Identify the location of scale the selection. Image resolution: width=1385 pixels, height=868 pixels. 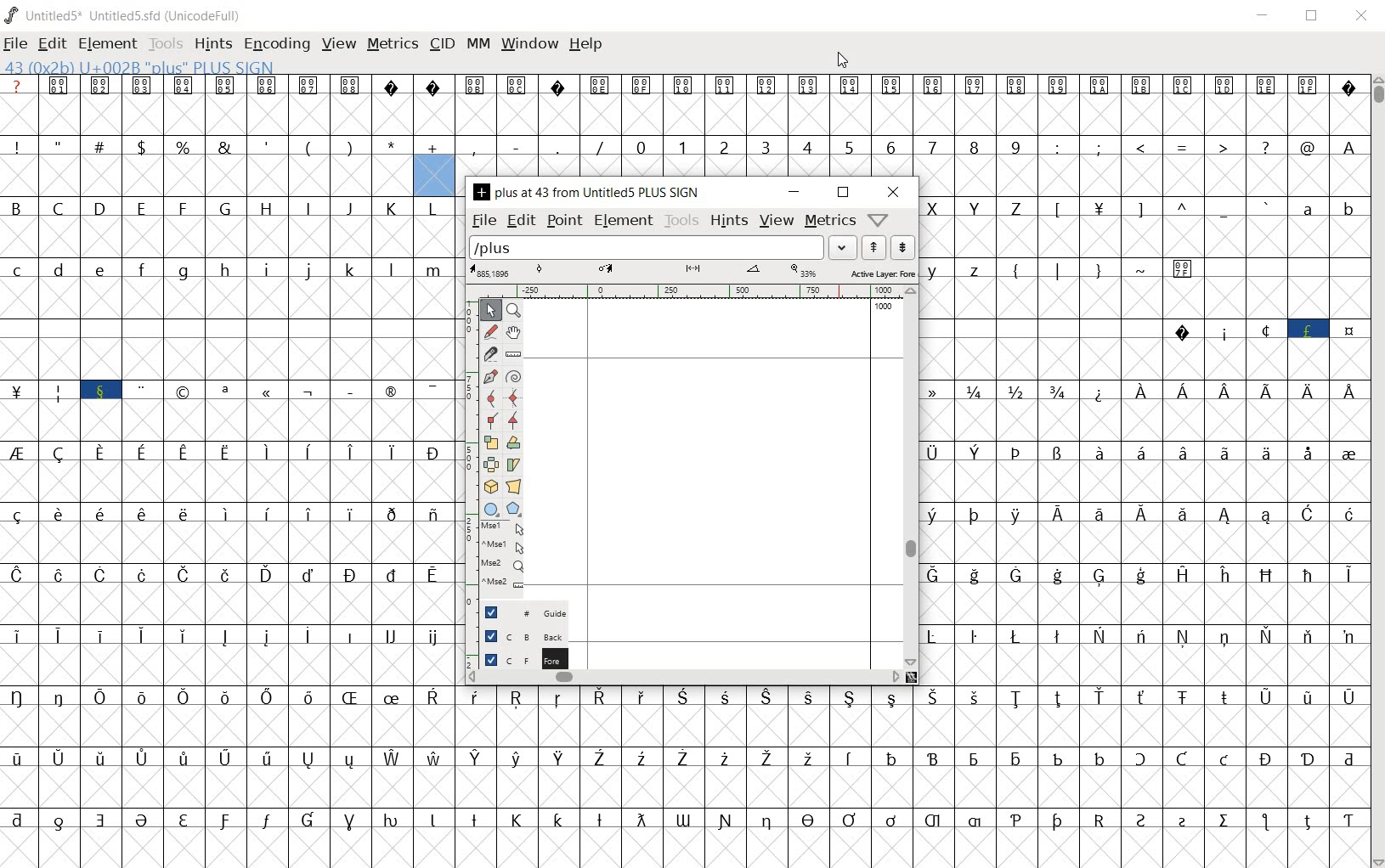
(490, 442).